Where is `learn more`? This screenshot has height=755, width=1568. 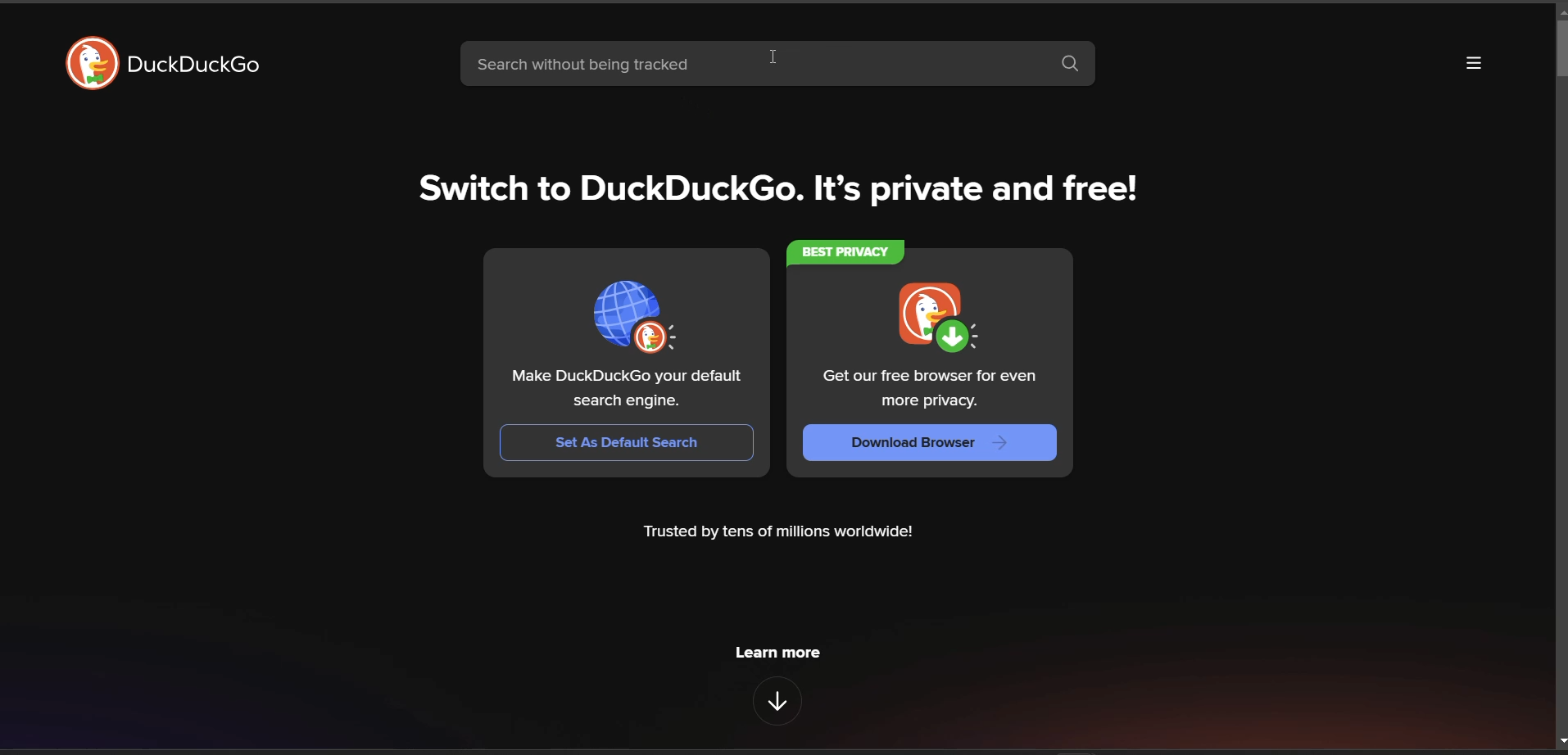
learn more is located at coordinates (780, 653).